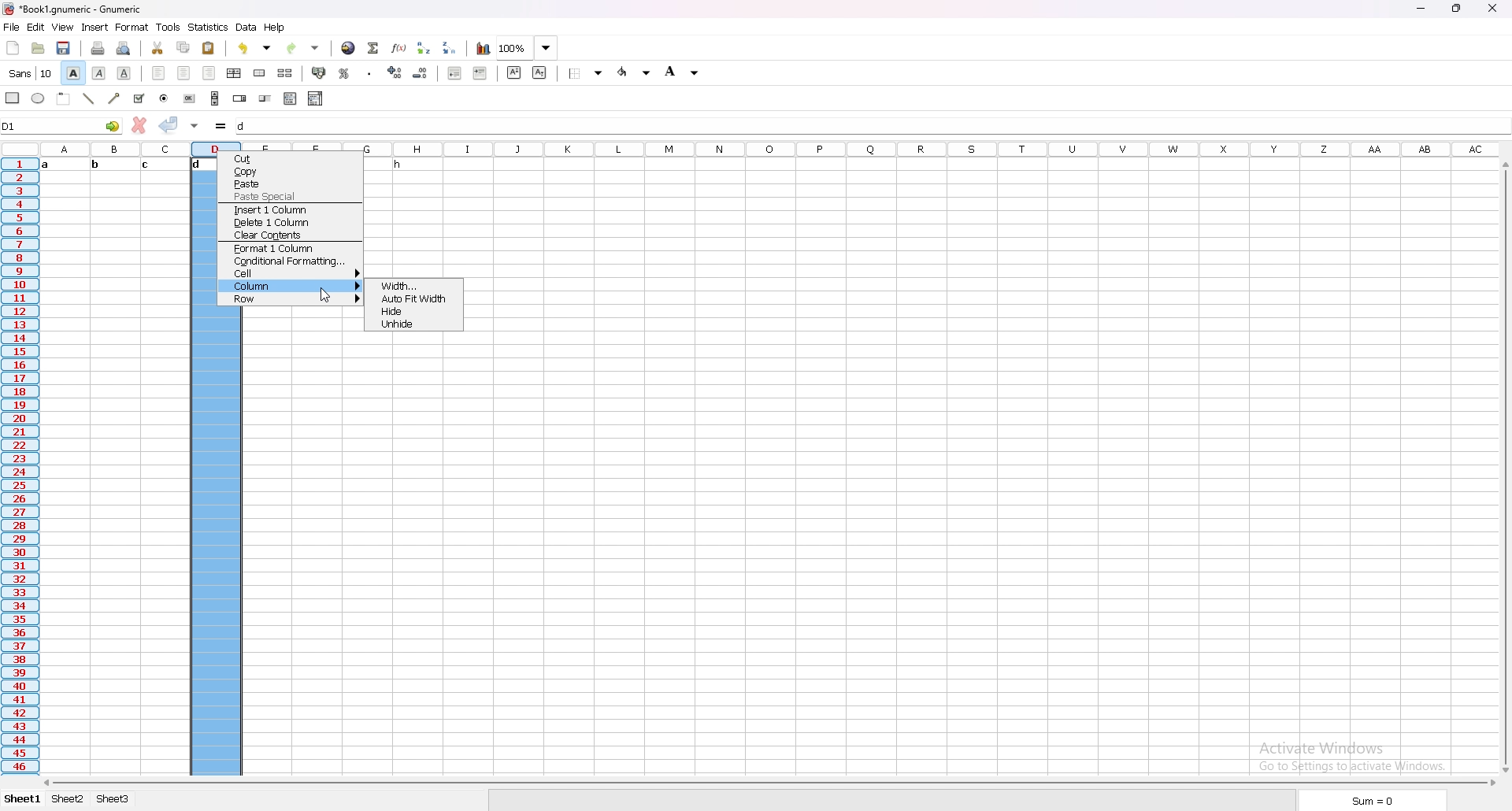  I want to click on centre horizontally, so click(235, 73).